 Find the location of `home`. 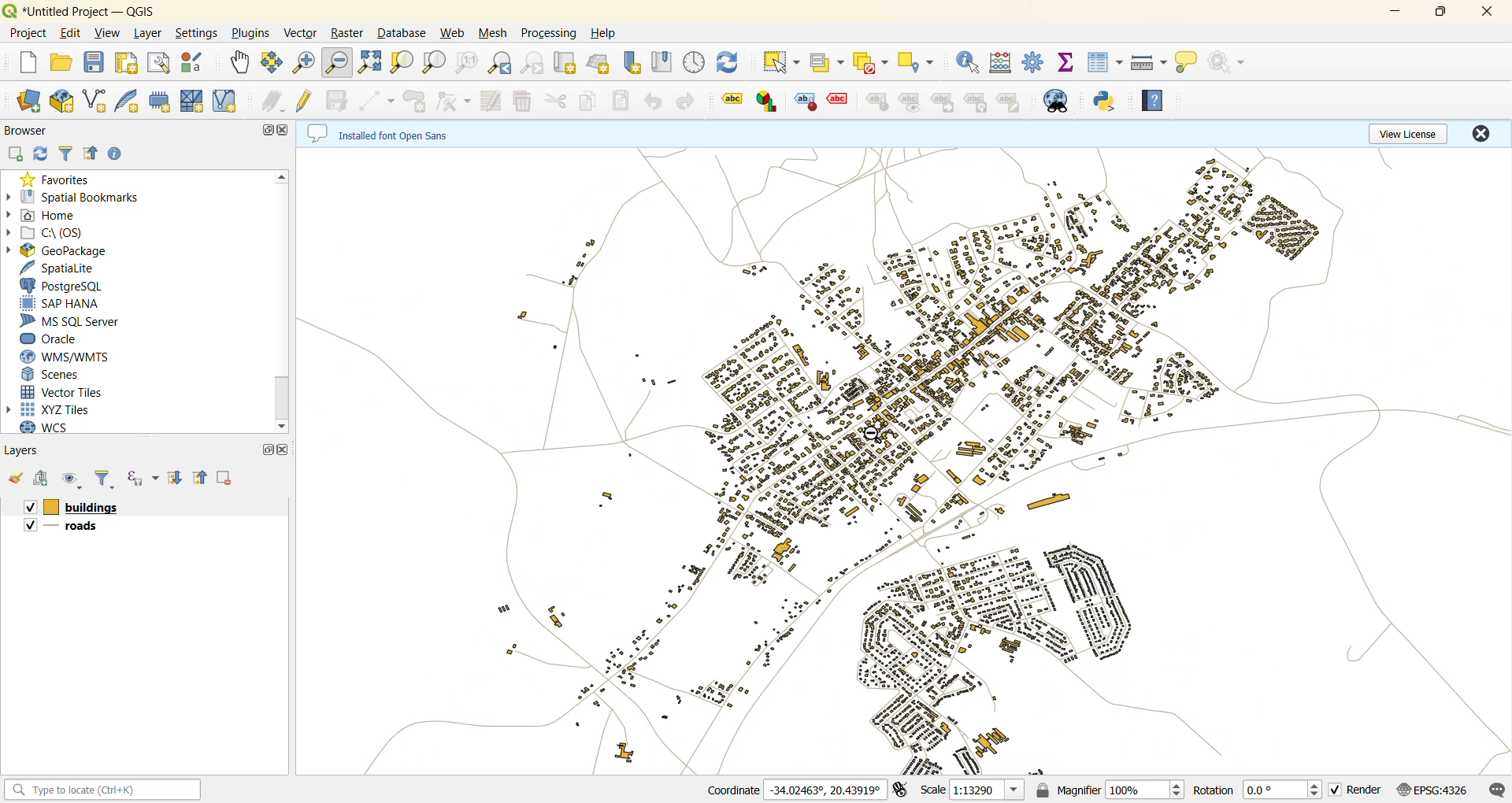

home is located at coordinates (54, 216).